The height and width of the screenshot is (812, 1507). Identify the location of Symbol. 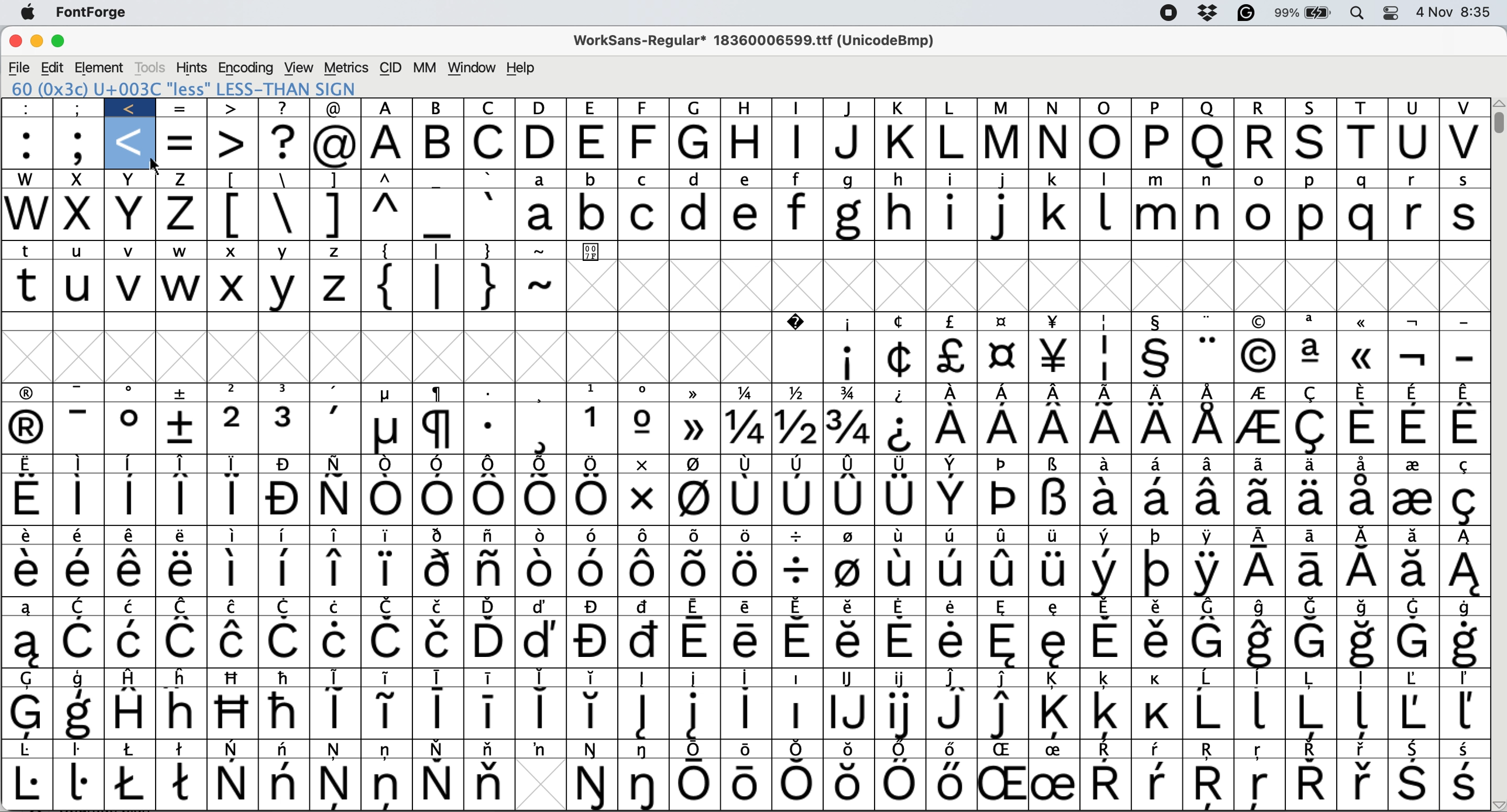
(904, 679).